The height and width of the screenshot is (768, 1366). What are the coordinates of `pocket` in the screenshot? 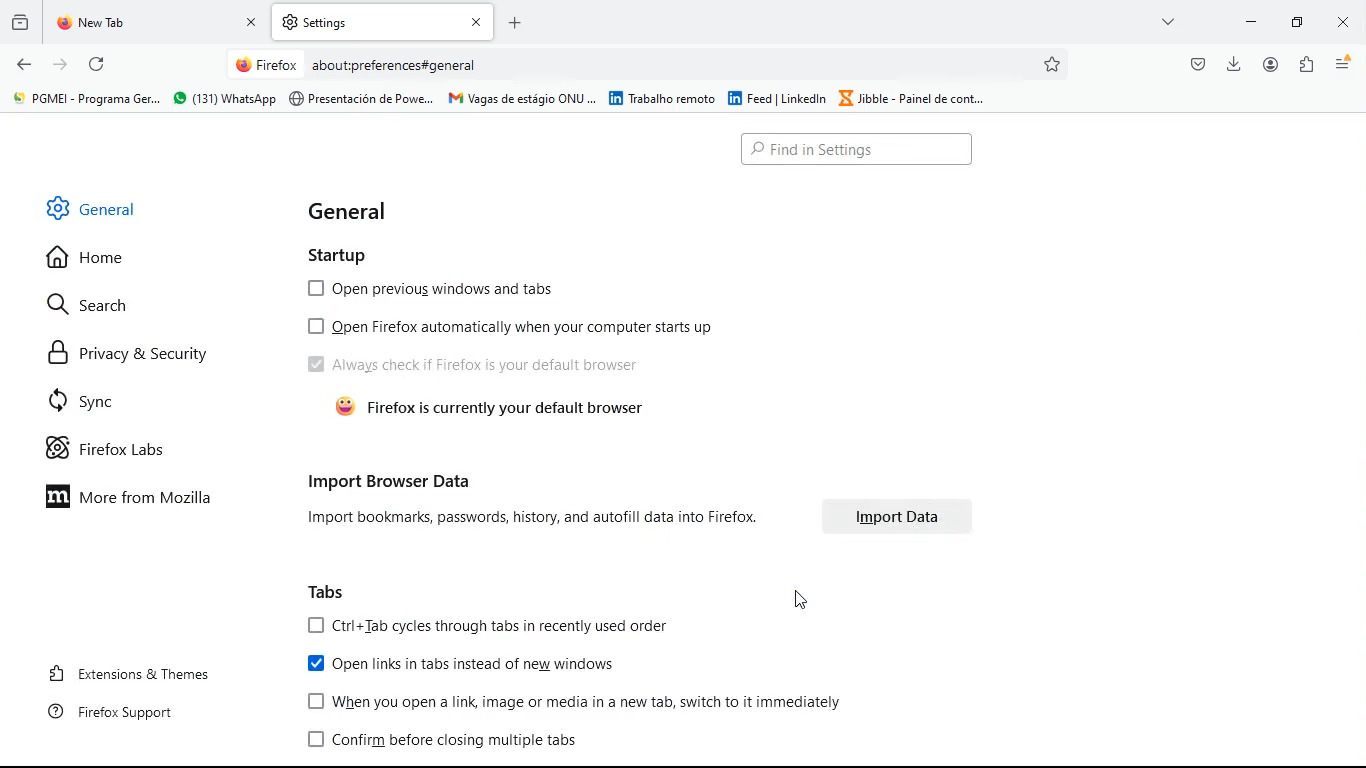 It's located at (1196, 65).